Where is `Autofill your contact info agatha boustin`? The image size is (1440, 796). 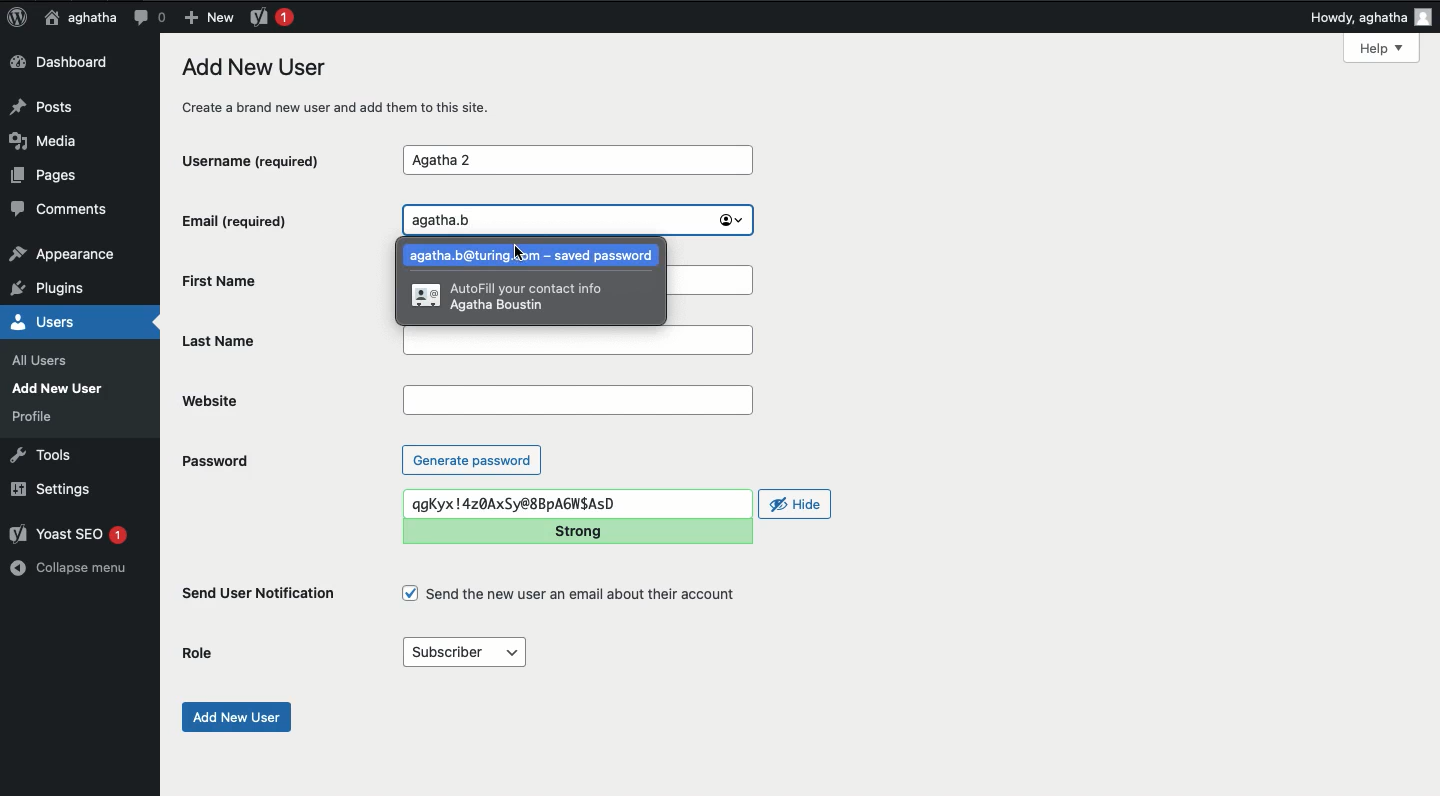 Autofill your contact info agatha boustin is located at coordinates (508, 300).